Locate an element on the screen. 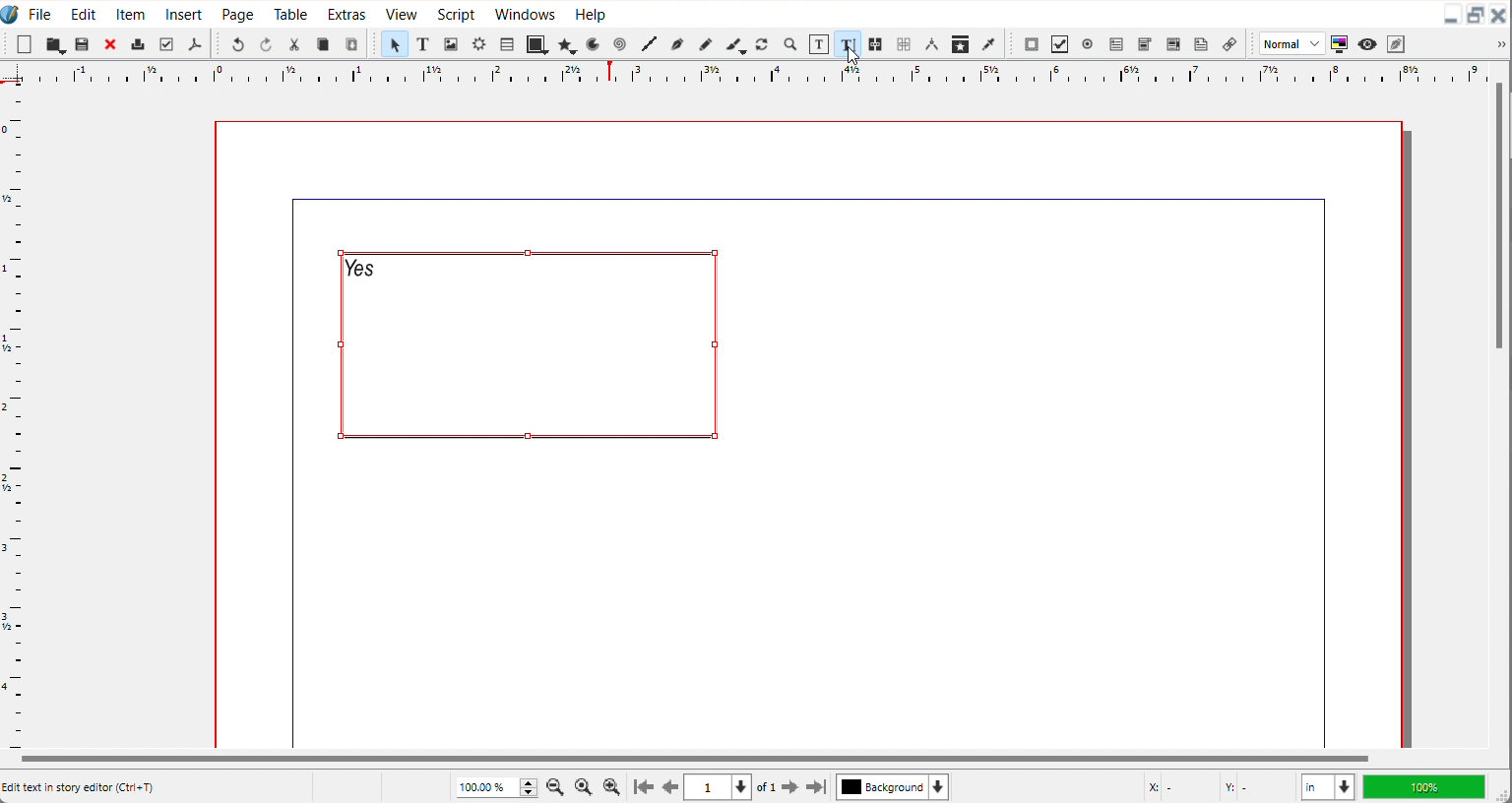  Image preview quality is located at coordinates (1292, 43).